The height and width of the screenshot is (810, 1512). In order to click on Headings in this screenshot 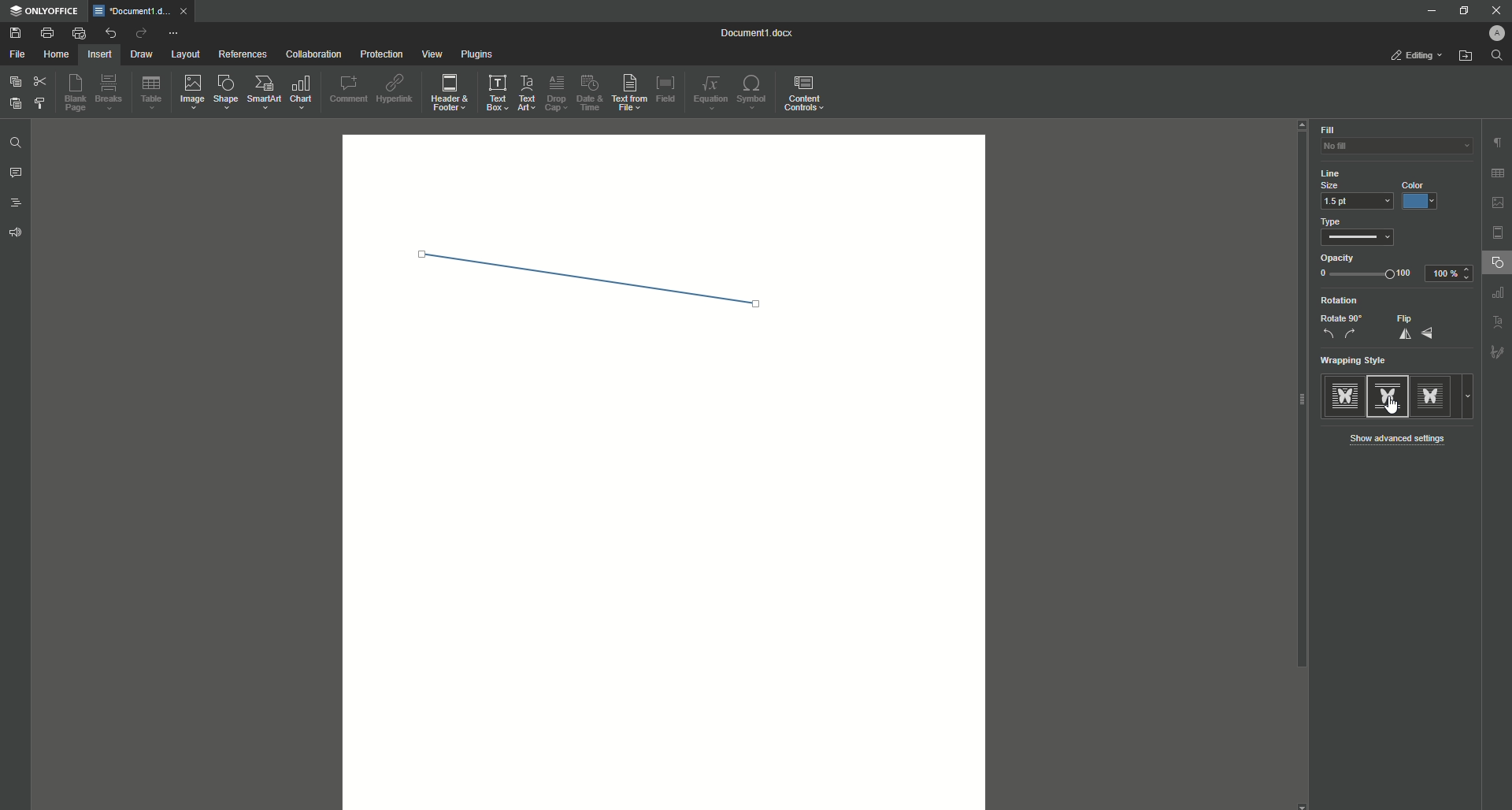, I will do `click(17, 205)`.